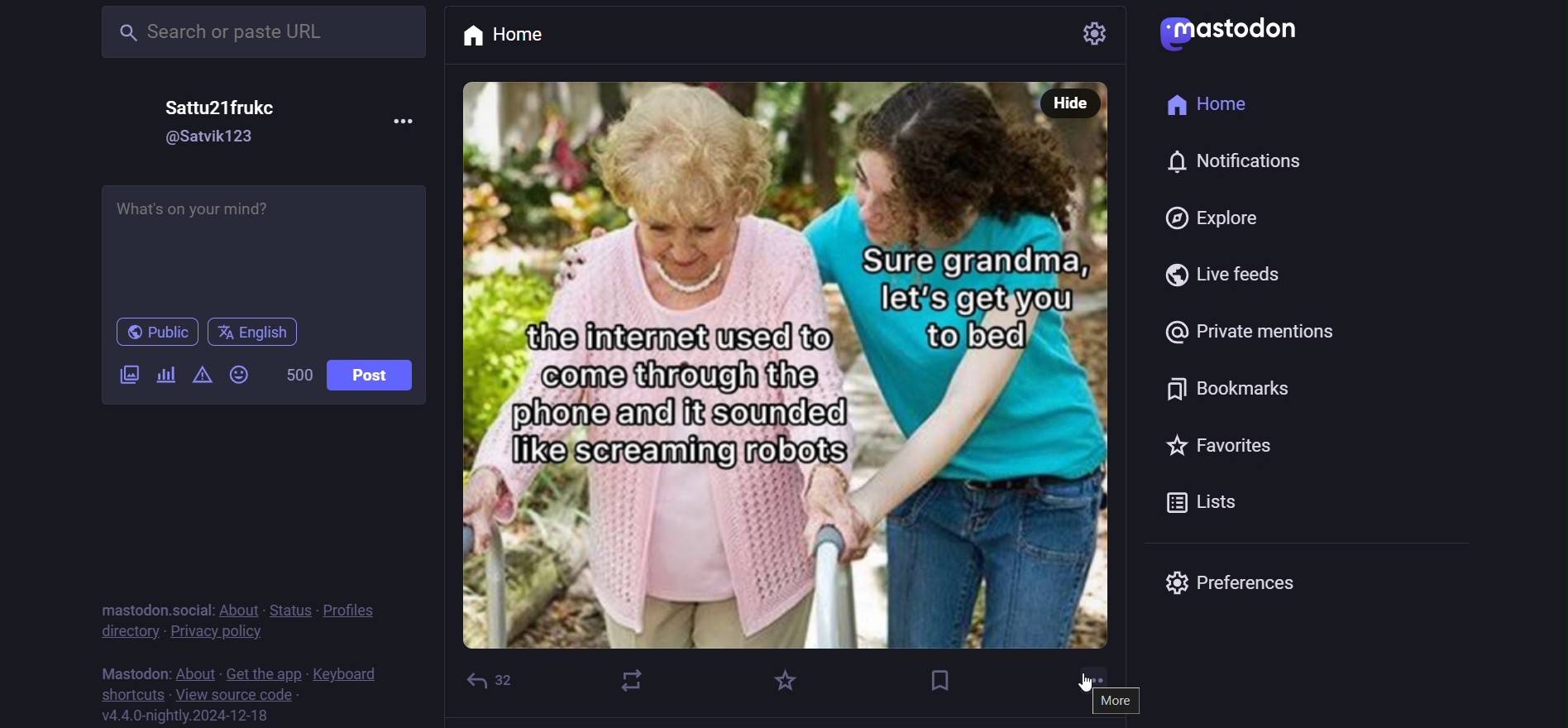  I want to click on post, so click(373, 375).